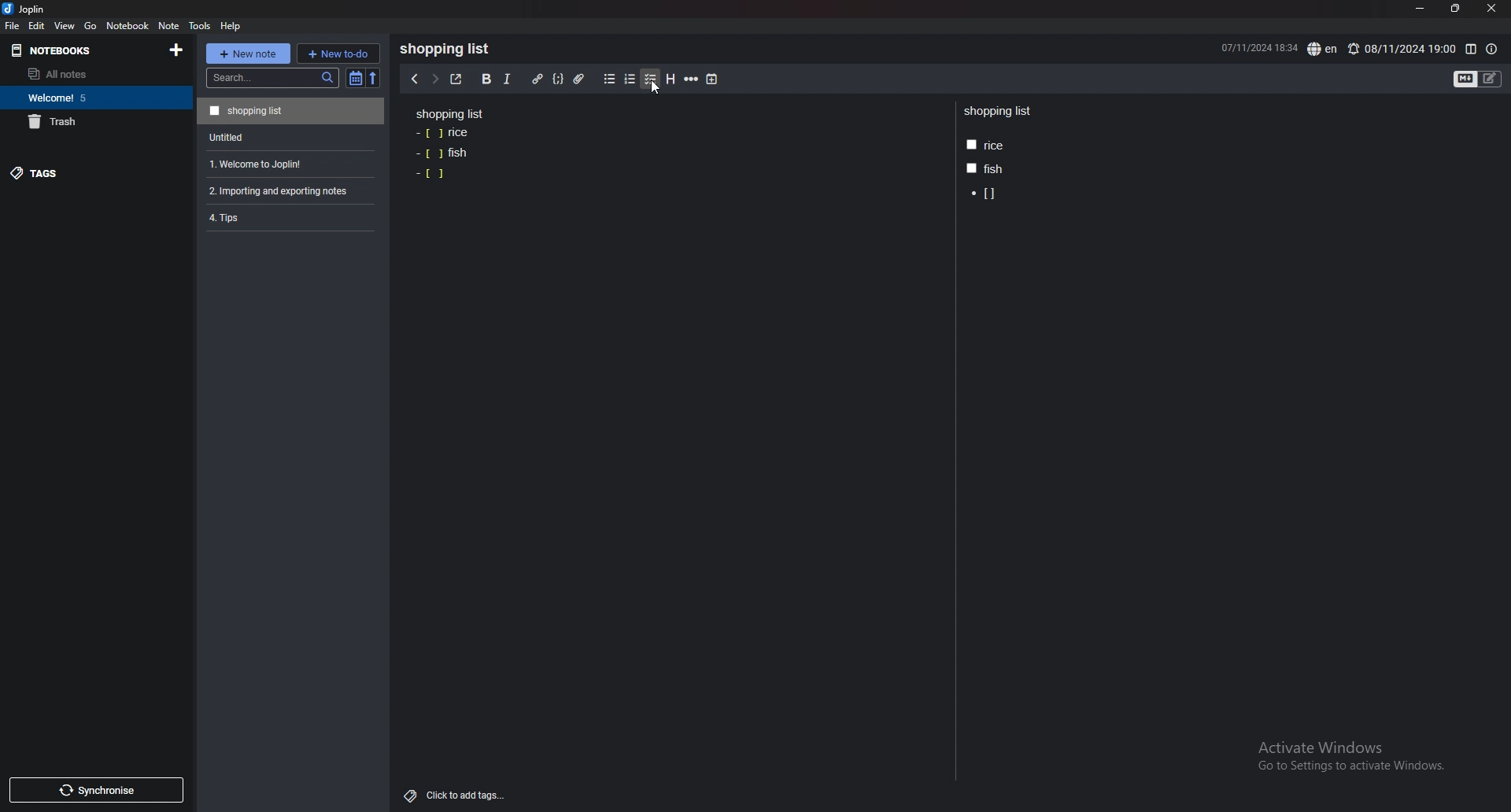  I want to click on 07/11/2024 1833, so click(1258, 47).